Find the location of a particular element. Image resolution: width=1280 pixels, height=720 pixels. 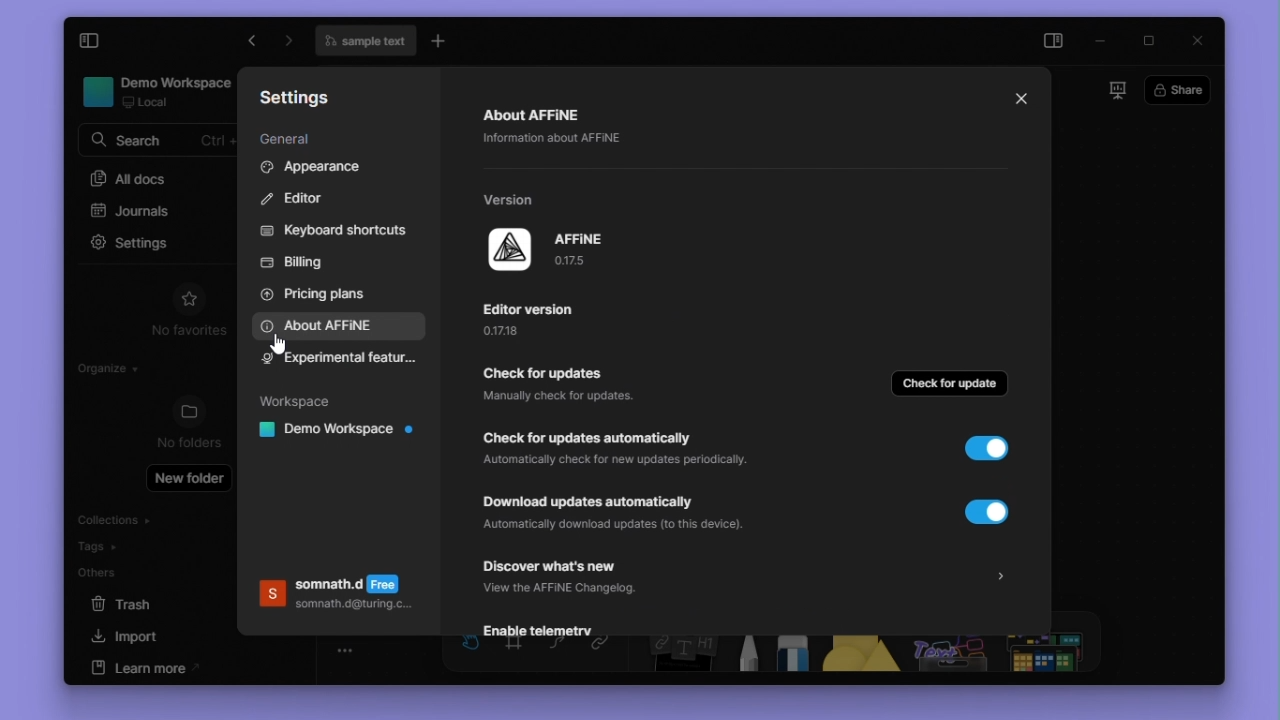

Abount Affine and explanatory text is located at coordinates (558, 129).